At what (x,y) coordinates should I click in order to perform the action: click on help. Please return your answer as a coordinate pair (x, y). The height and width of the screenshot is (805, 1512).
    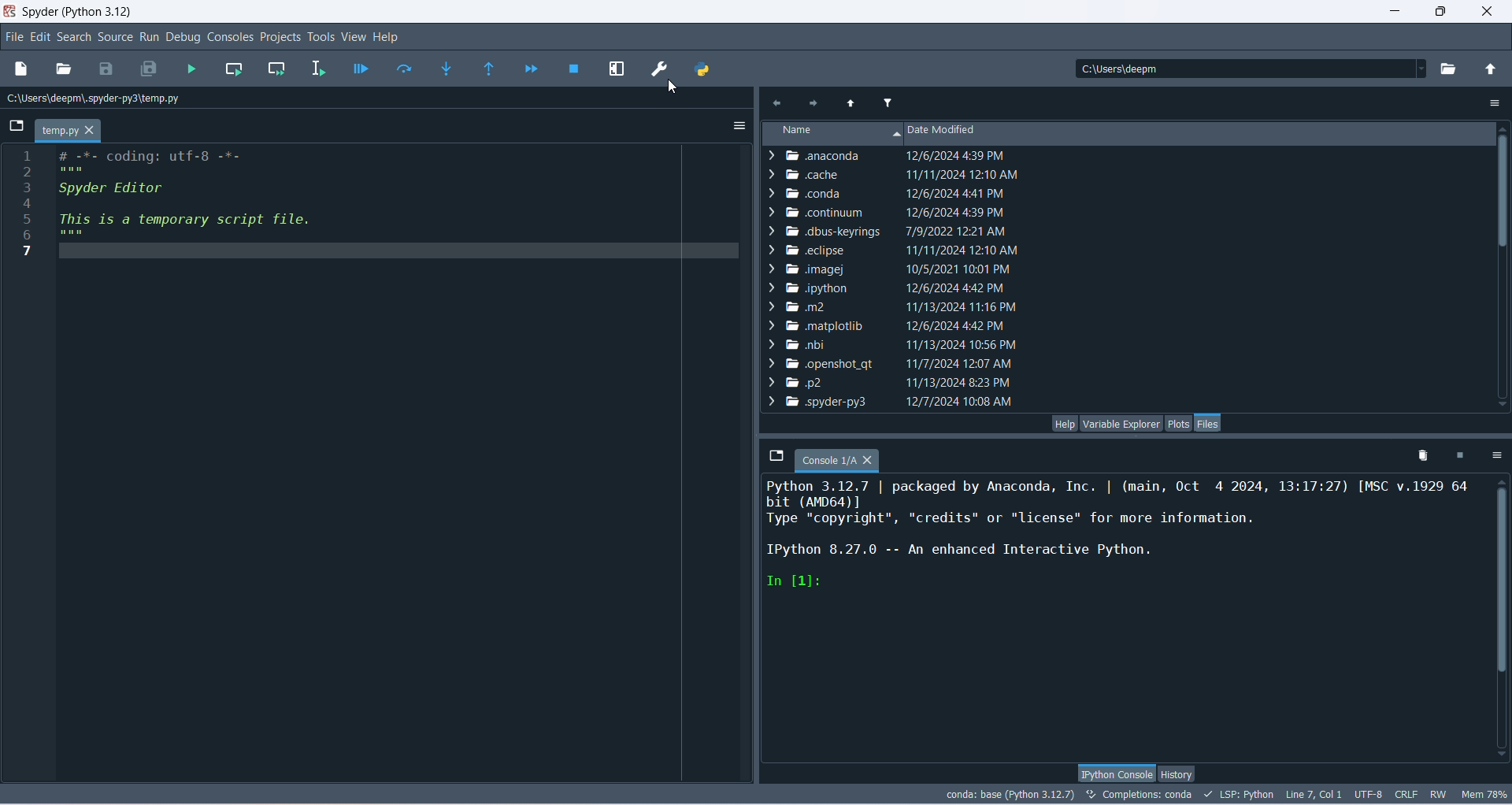
    Looking at the image, I should click on (387, 39).